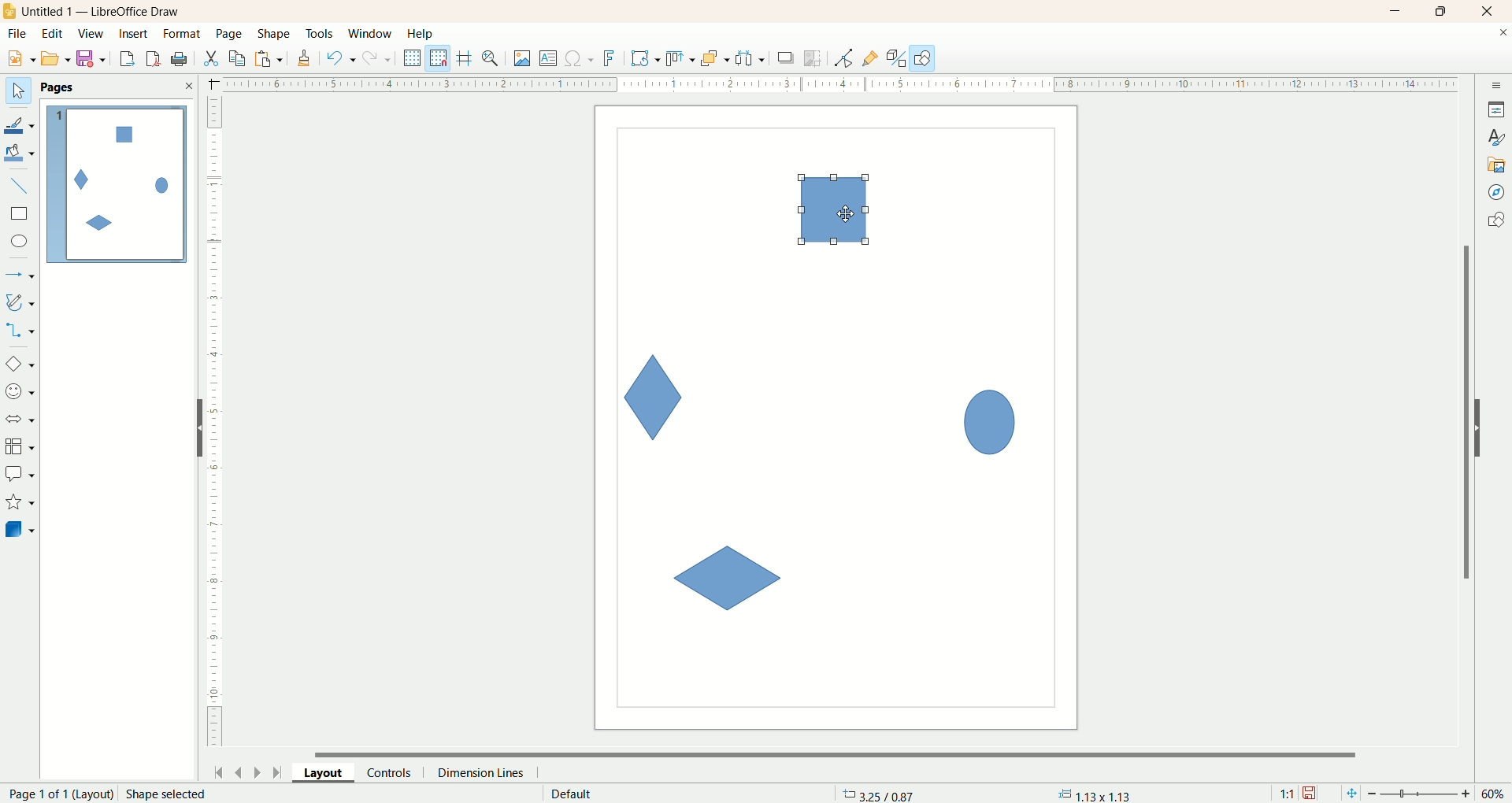 This screenshot has width=1512, height=803. I want to click on gallery, so click(1497, 163).